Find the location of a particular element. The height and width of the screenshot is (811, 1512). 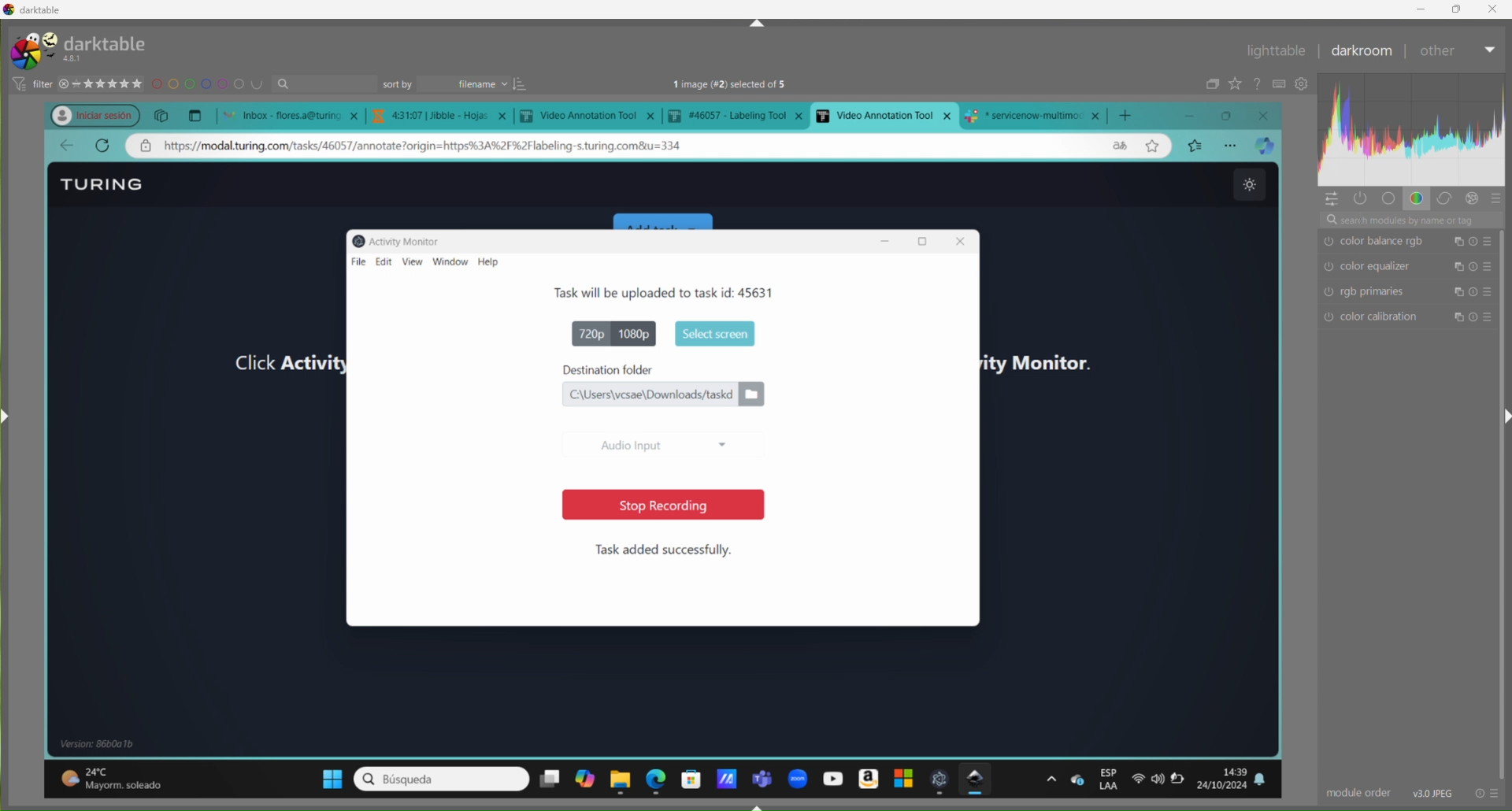

windows details is located at coordinates (105, 743).